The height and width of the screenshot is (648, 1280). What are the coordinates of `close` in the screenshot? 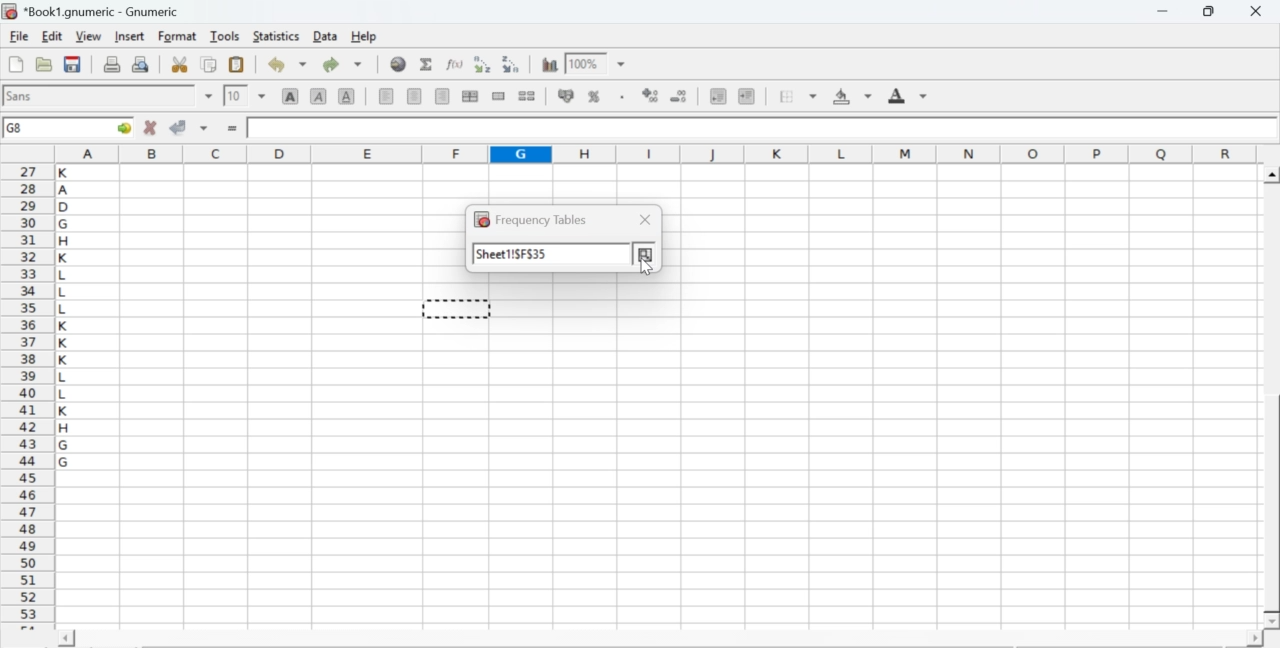 It's located at (642, 221).